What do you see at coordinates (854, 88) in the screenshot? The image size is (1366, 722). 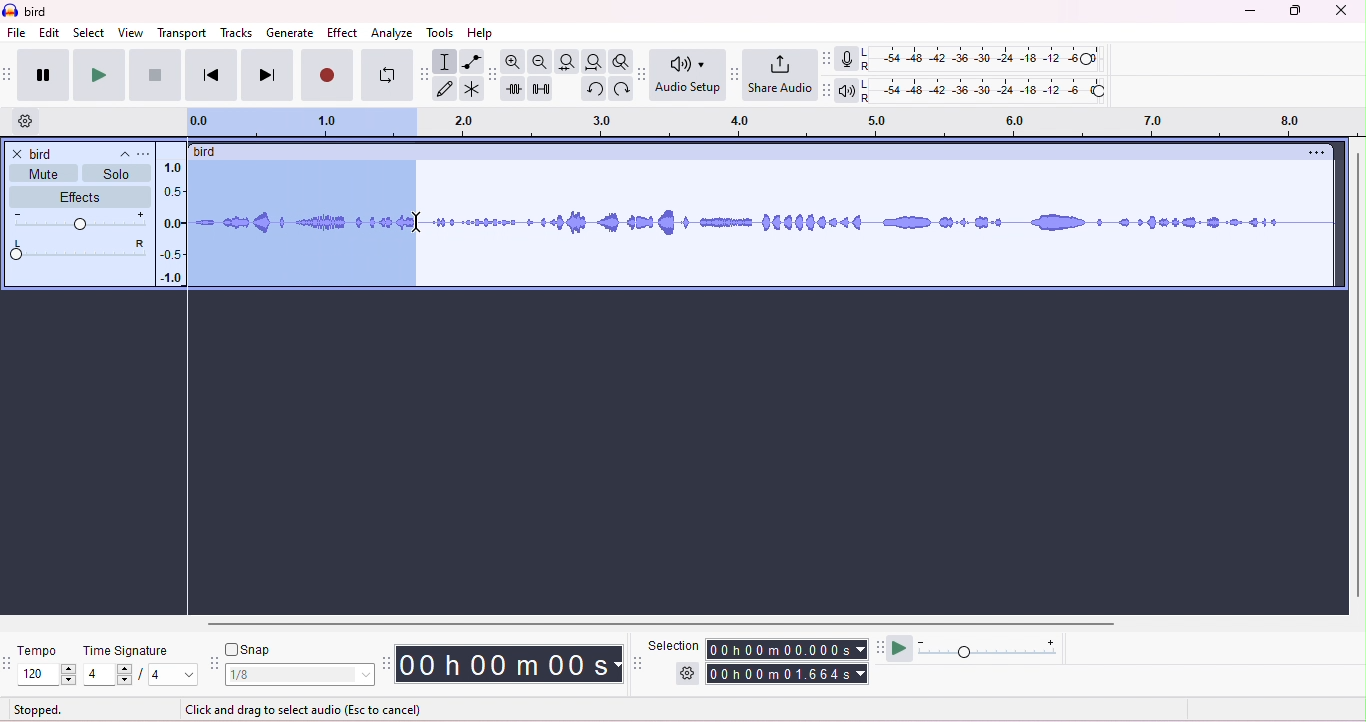 I see `playback meter` at bounding box center [854, 88].